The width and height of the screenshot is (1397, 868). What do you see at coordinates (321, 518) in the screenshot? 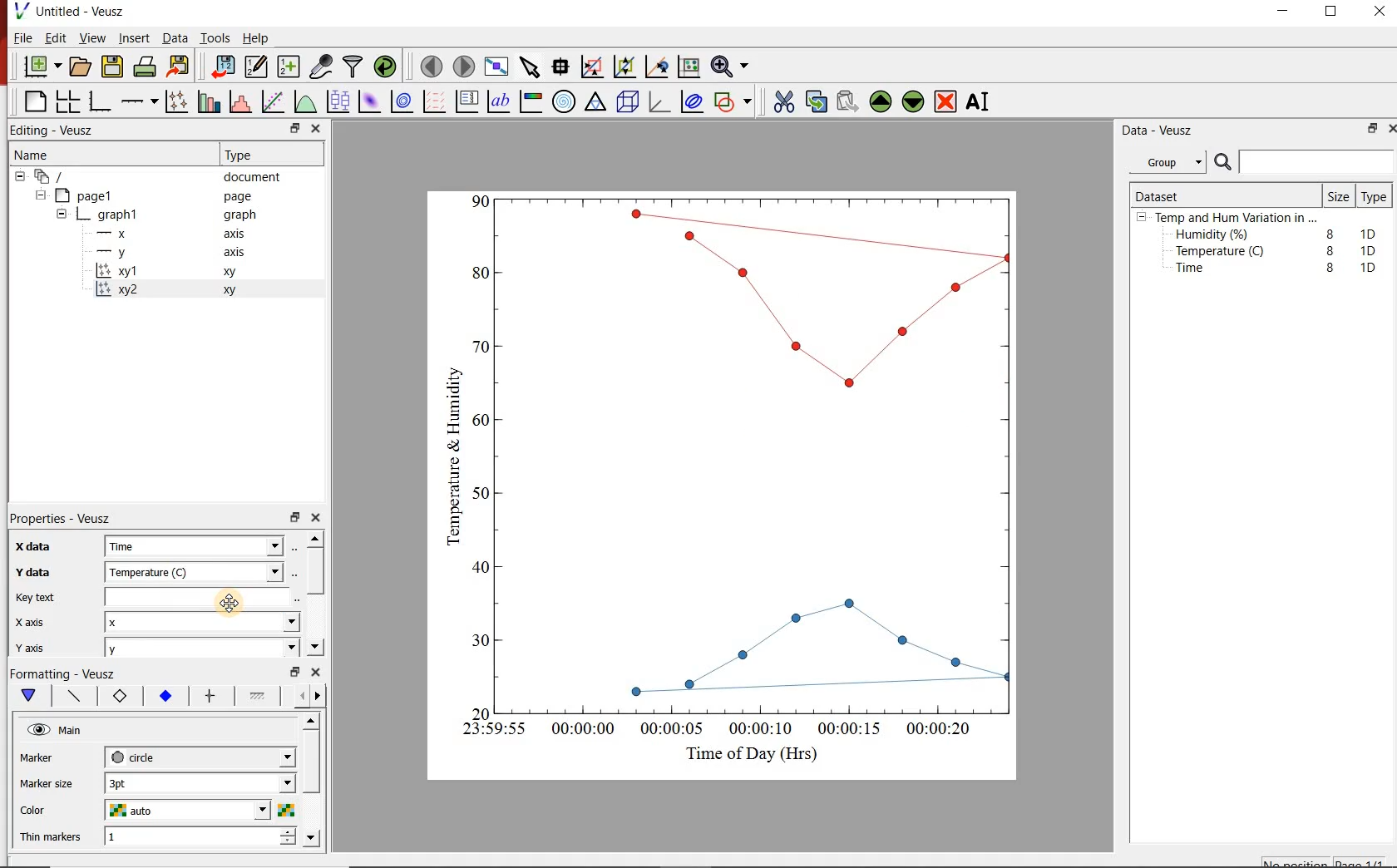
I see `close` at bounding box center [321, 518].